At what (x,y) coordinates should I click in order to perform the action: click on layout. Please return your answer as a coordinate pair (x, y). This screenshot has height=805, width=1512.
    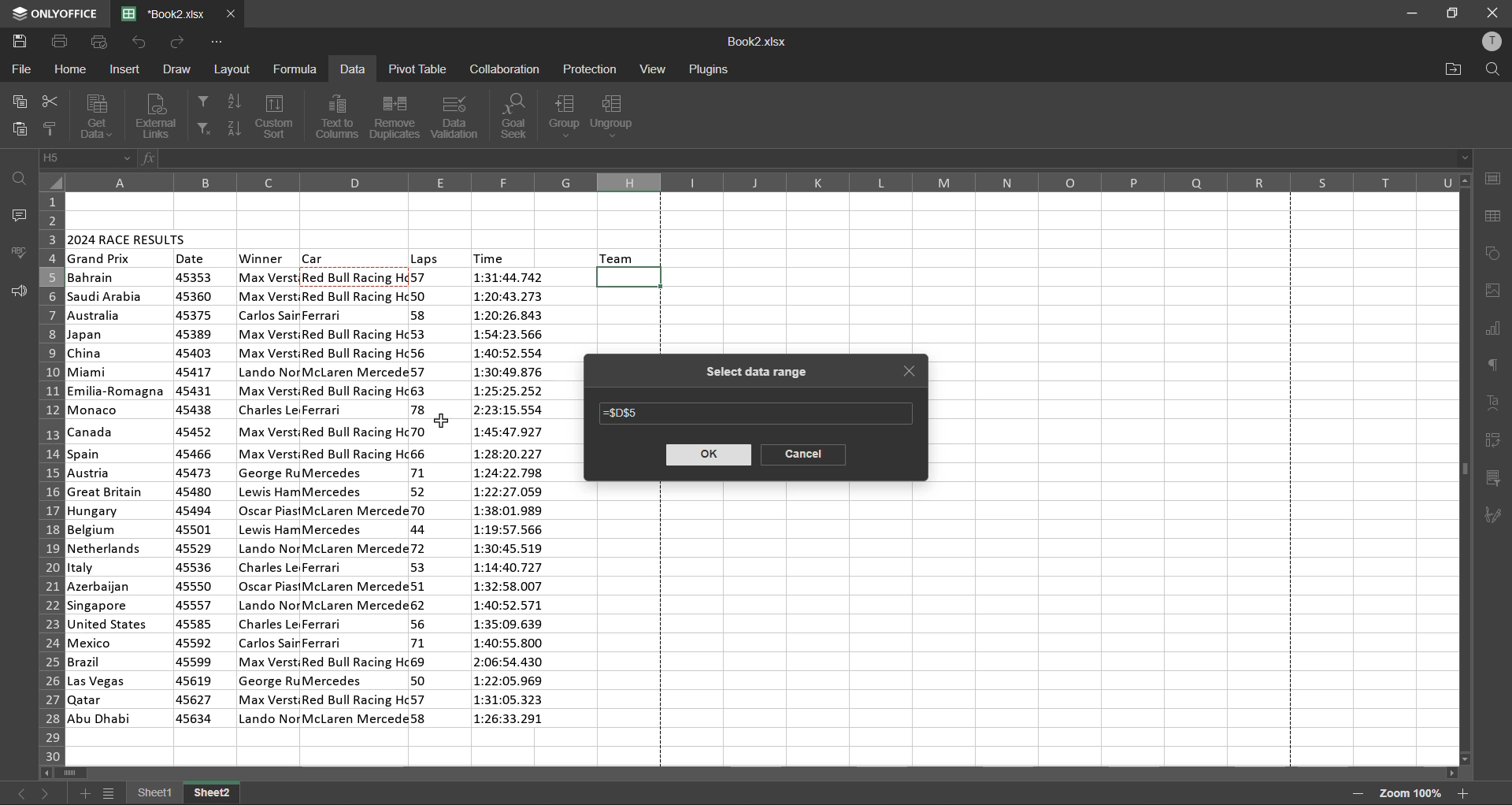
    Looking at the image, I should click on (235, 70).